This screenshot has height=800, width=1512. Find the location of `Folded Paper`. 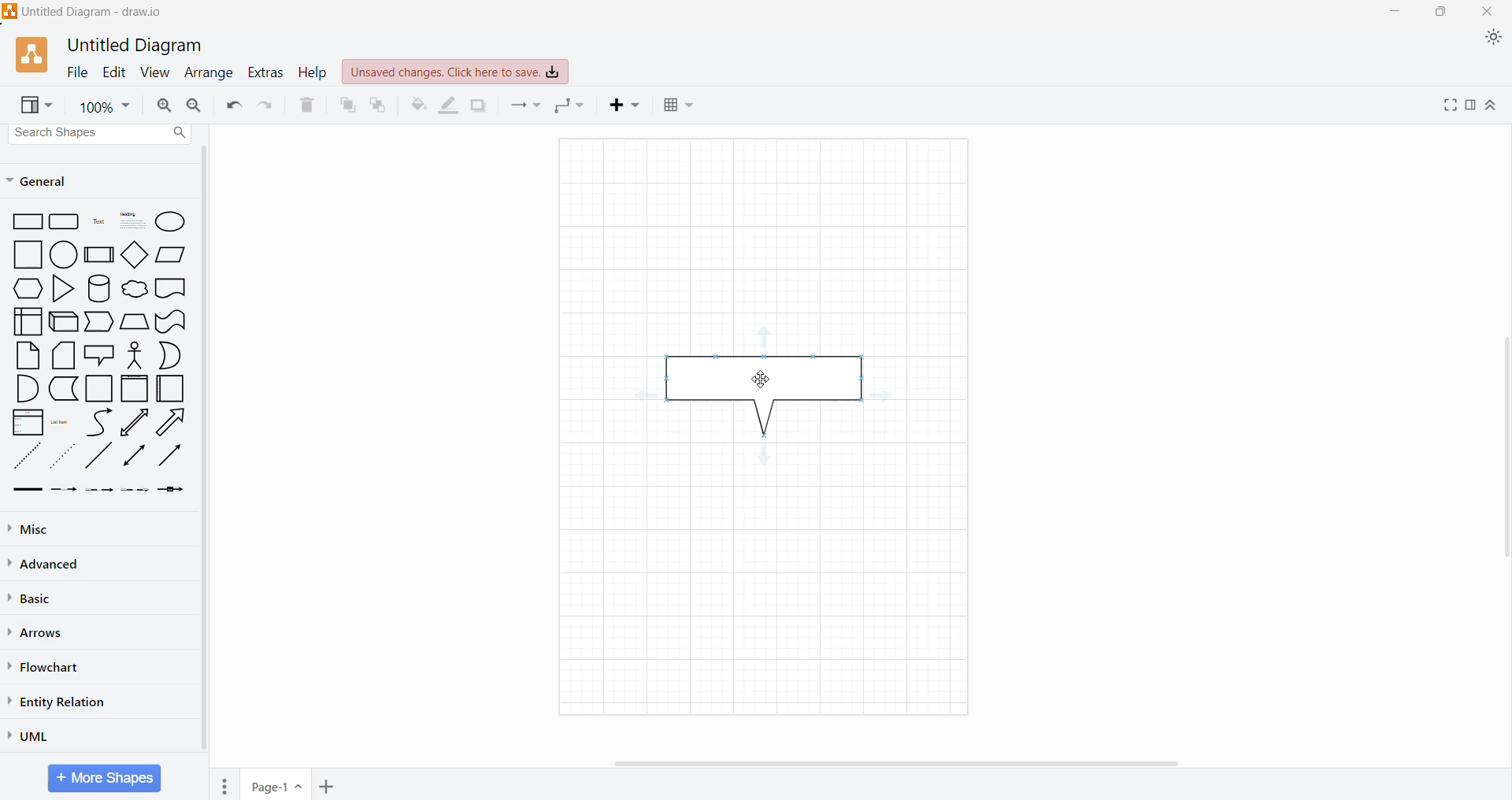

Folded Paper is located at coordinates (173, 388).